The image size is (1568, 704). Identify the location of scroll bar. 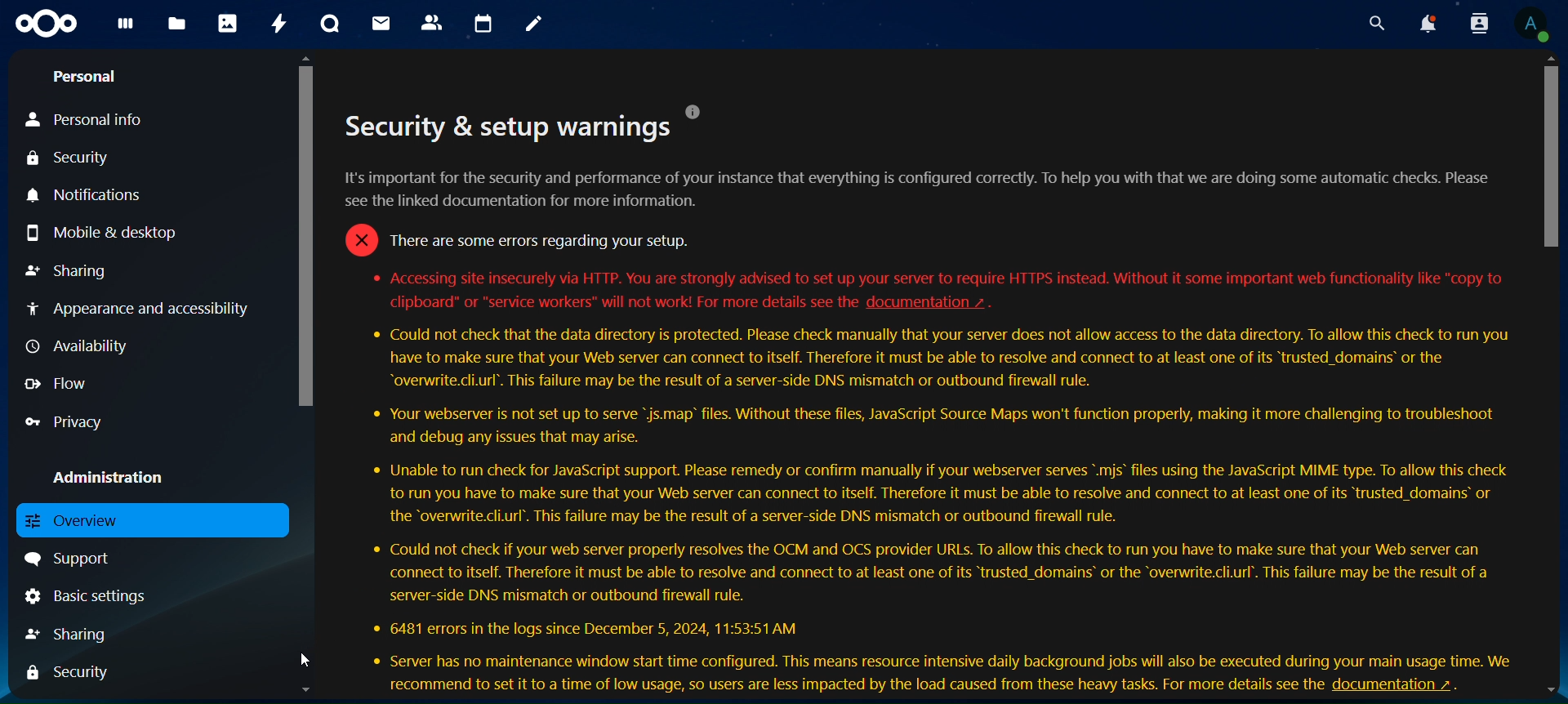
(1551, 380).